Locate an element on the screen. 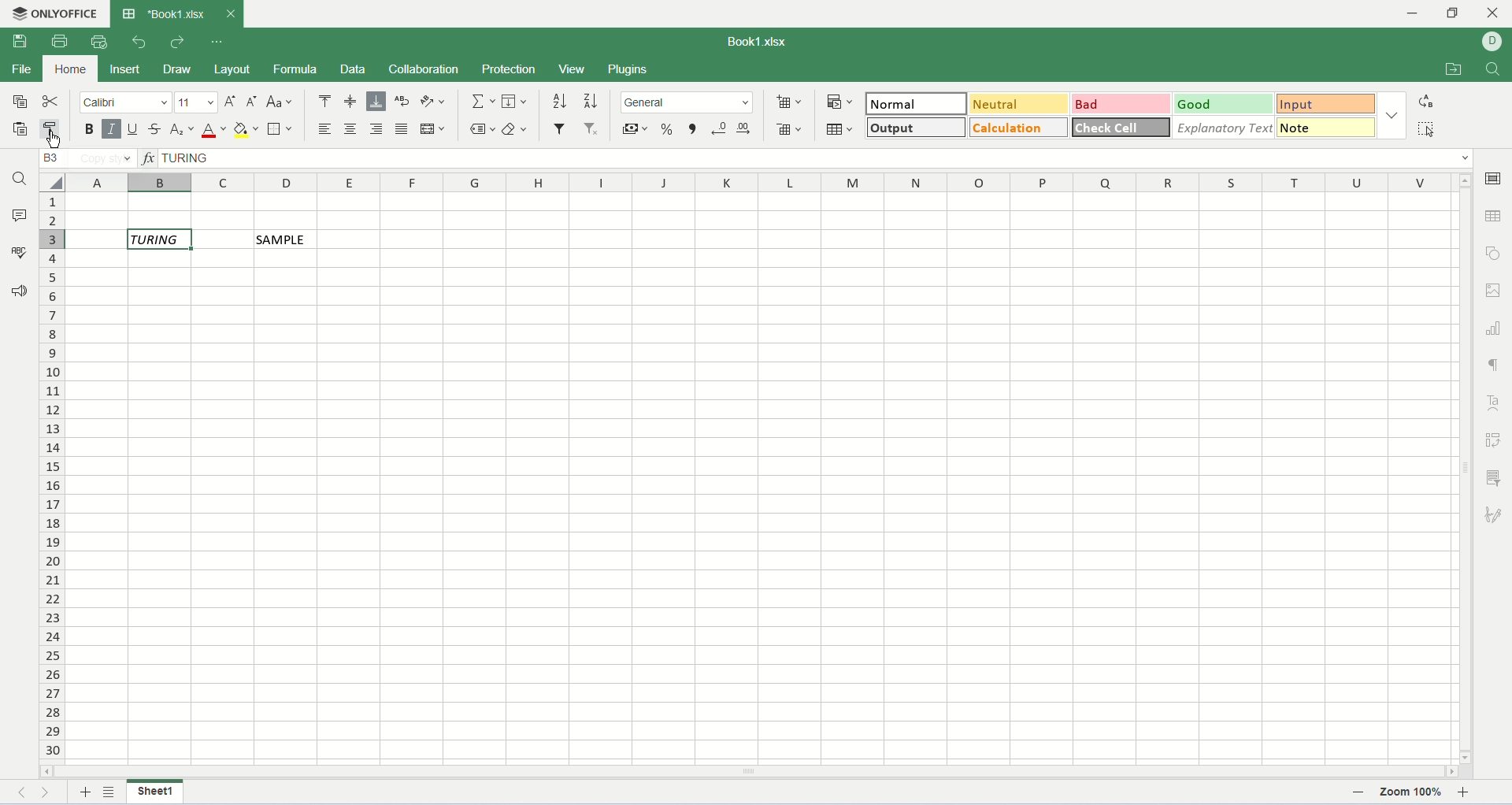  sort ascending is located at coordinates (560, 102).